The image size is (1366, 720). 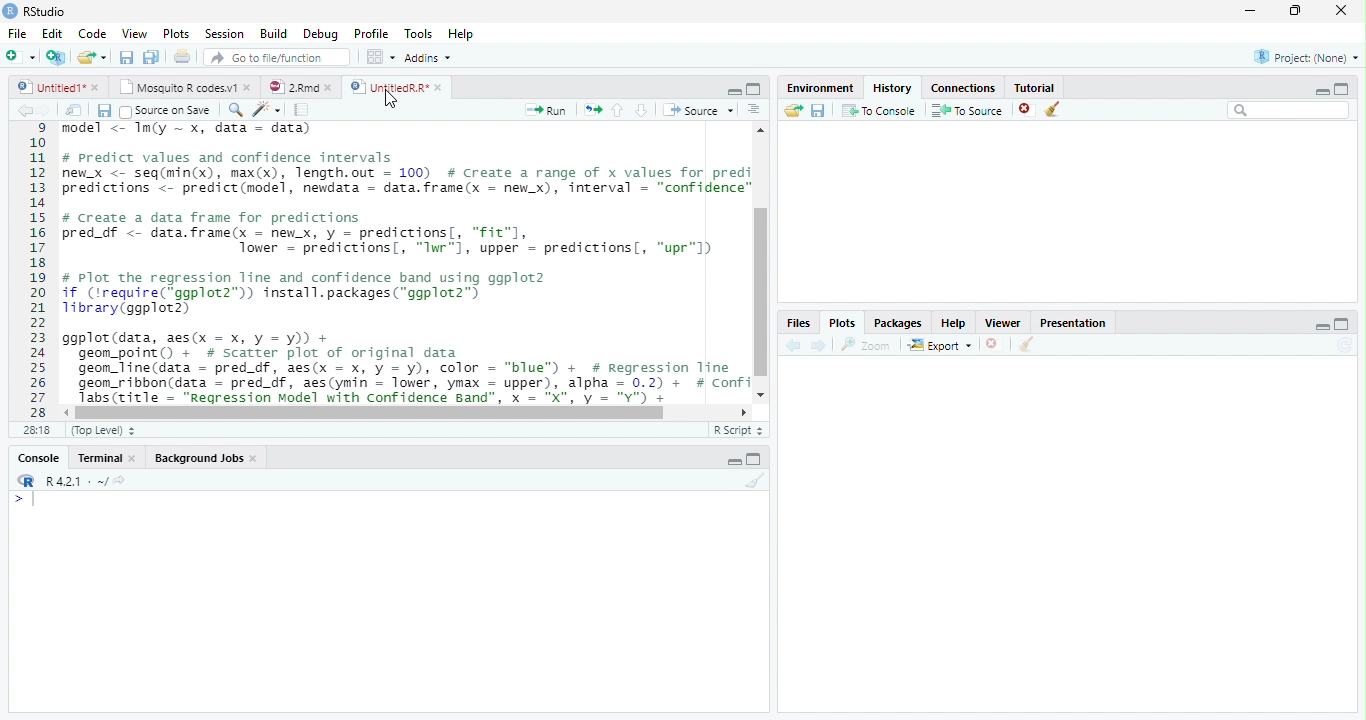 I want to click on Terminal, so click(x=108, y=455).